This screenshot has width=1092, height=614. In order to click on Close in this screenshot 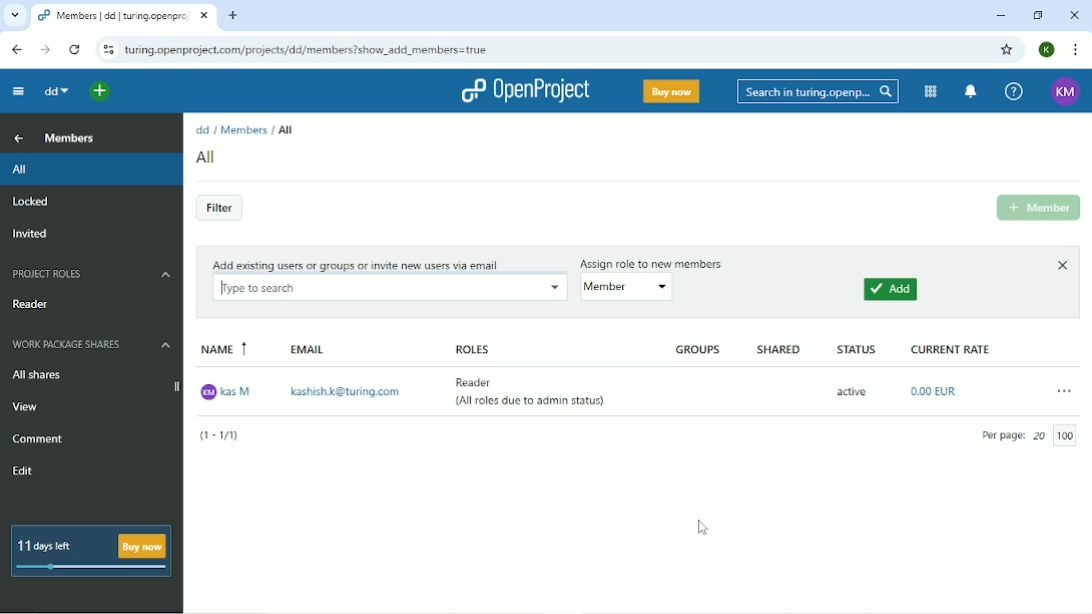, I will do `click(1061, 265)`.